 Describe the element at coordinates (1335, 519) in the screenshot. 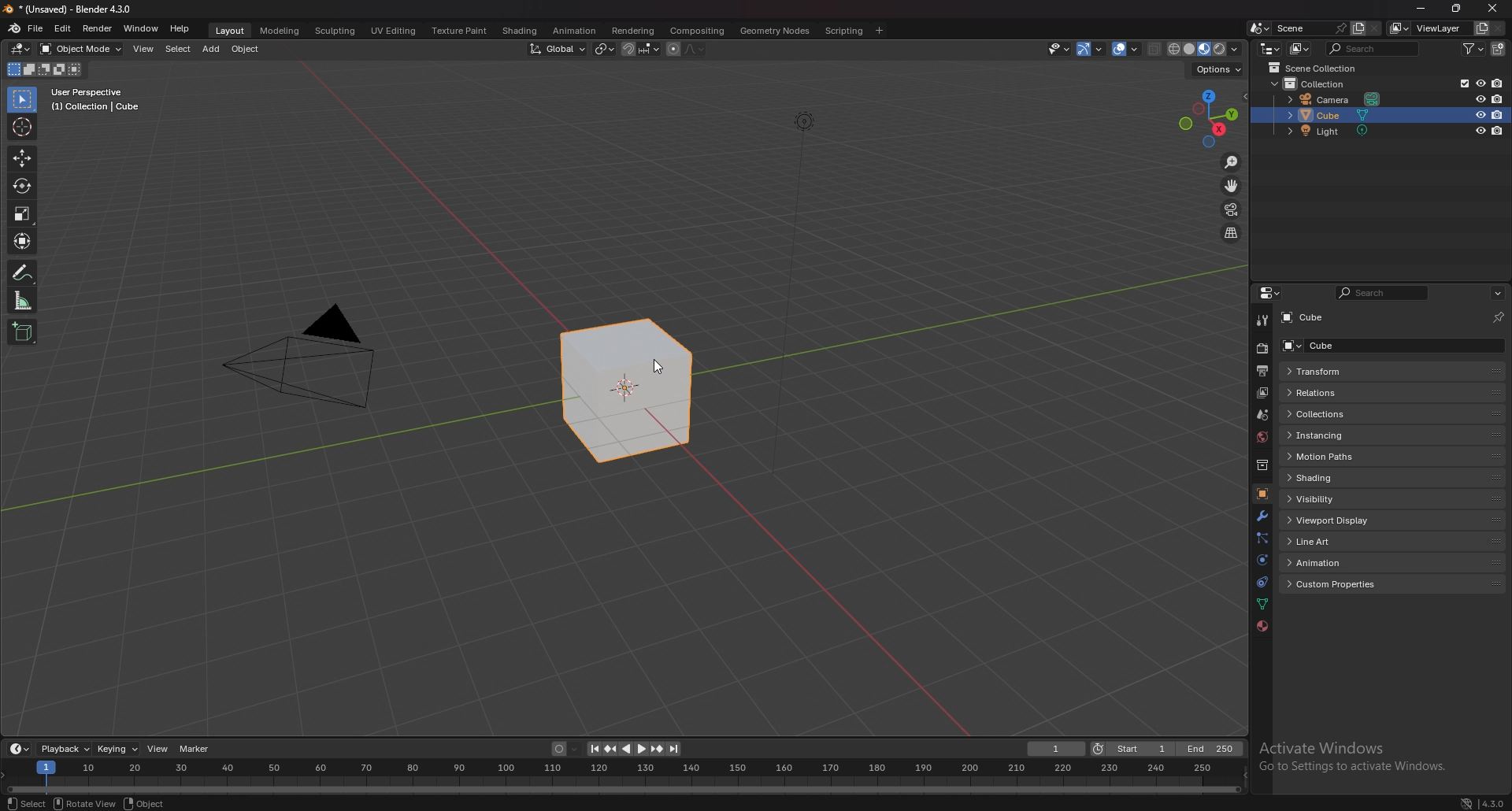

I see `viewport display` at that location.